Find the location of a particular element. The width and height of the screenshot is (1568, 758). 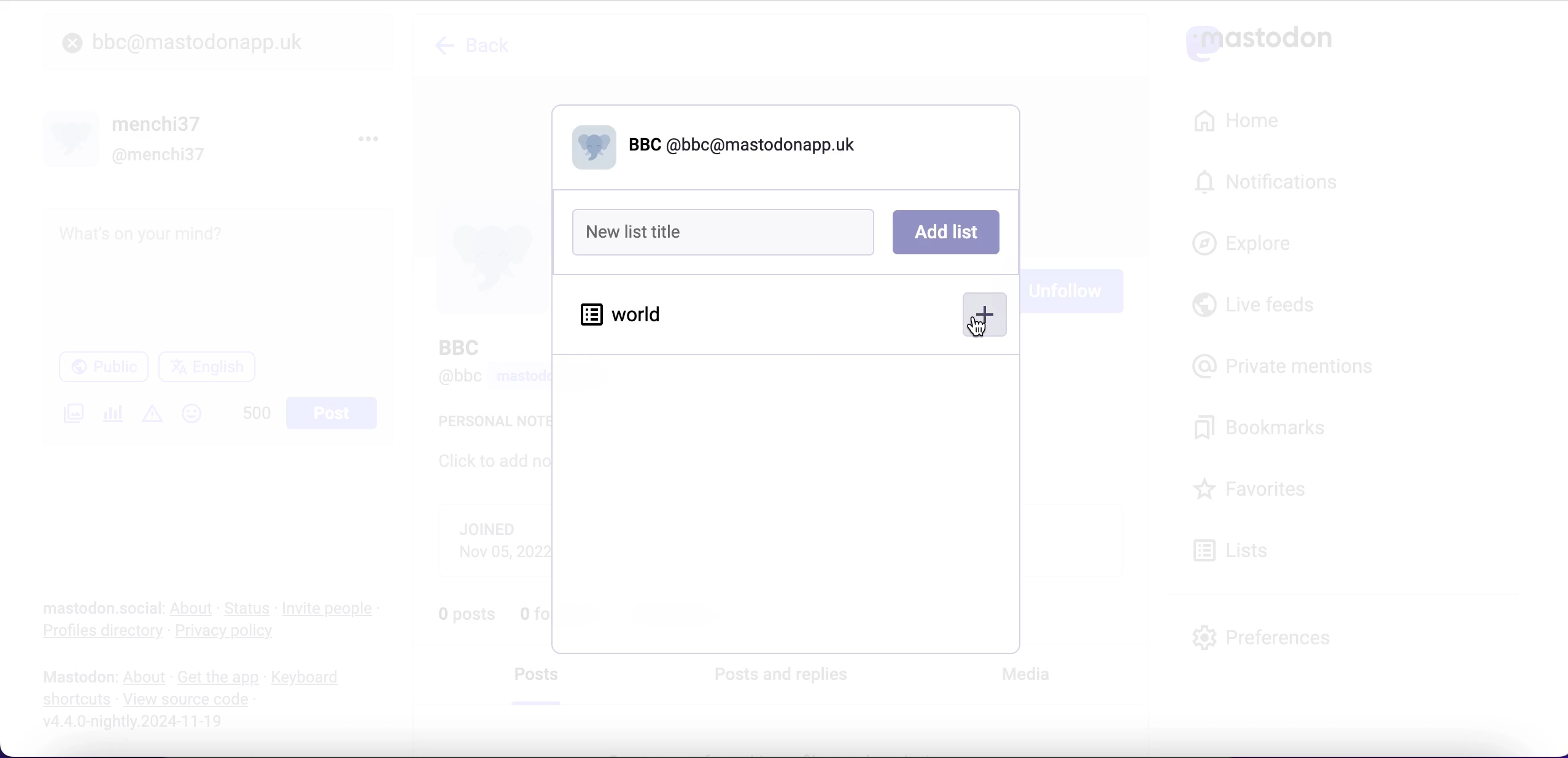

new list title is located at coordinates (726, 231).